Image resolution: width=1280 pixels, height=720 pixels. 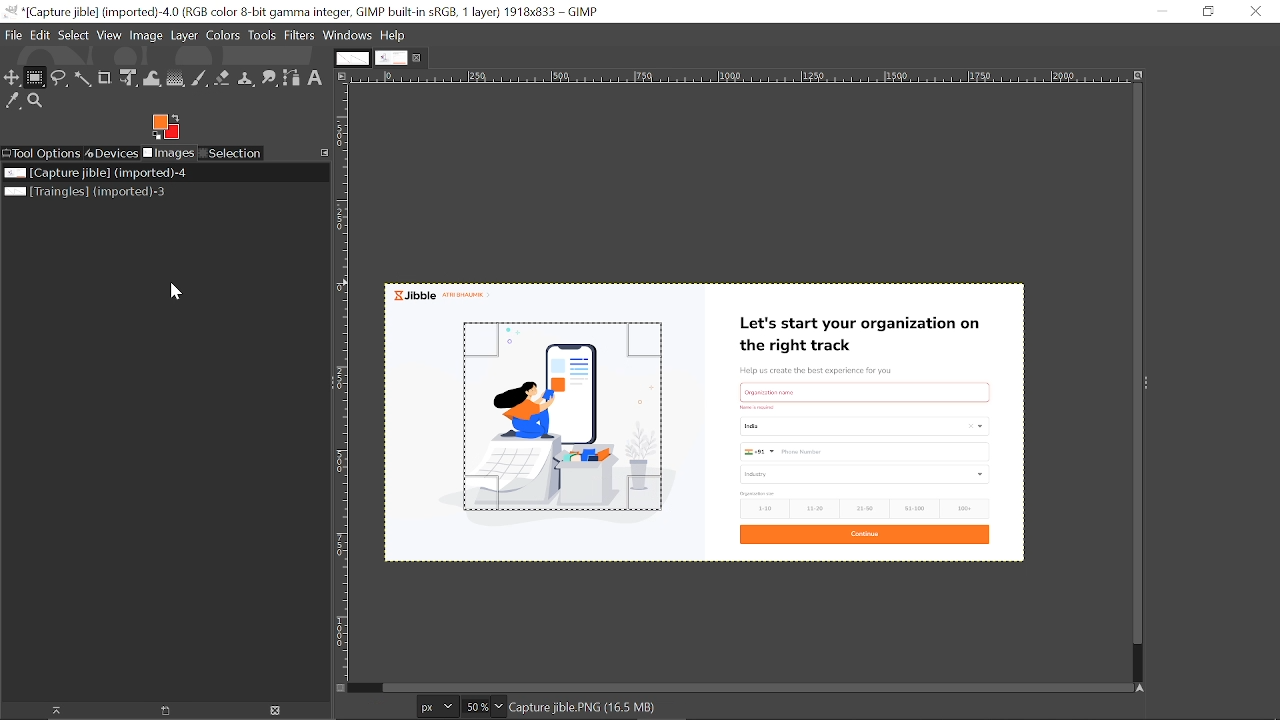 What do you see at coordinates (1142, 687) in the screenshot?
I see `Navigate the image's display` at bounding box center [1142, 687].